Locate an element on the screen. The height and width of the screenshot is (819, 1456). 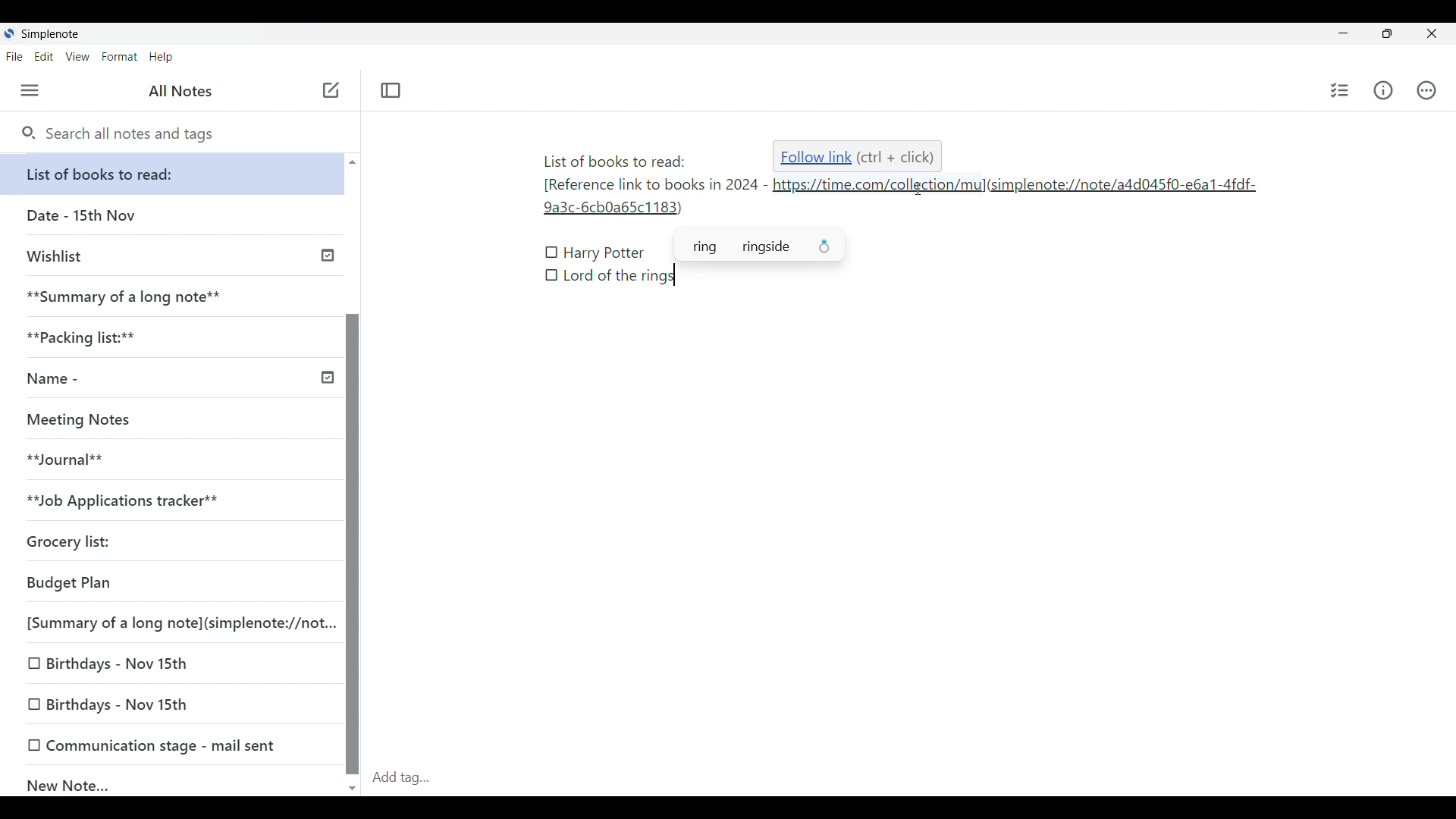
Birthdays - Nov 15th is located at coordinates (171, 664).